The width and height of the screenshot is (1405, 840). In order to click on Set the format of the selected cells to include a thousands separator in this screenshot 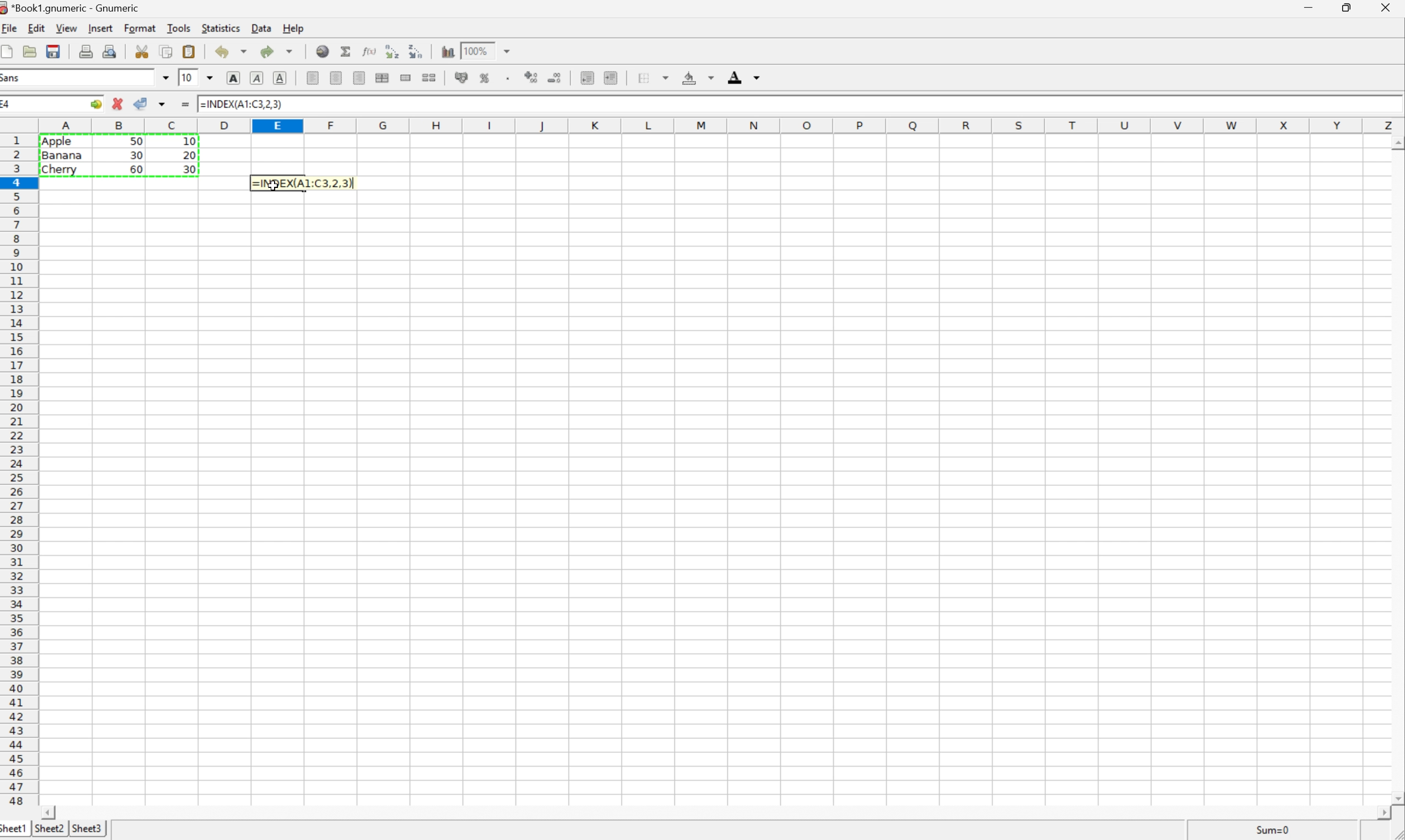, I will do `click(509, 78)`.